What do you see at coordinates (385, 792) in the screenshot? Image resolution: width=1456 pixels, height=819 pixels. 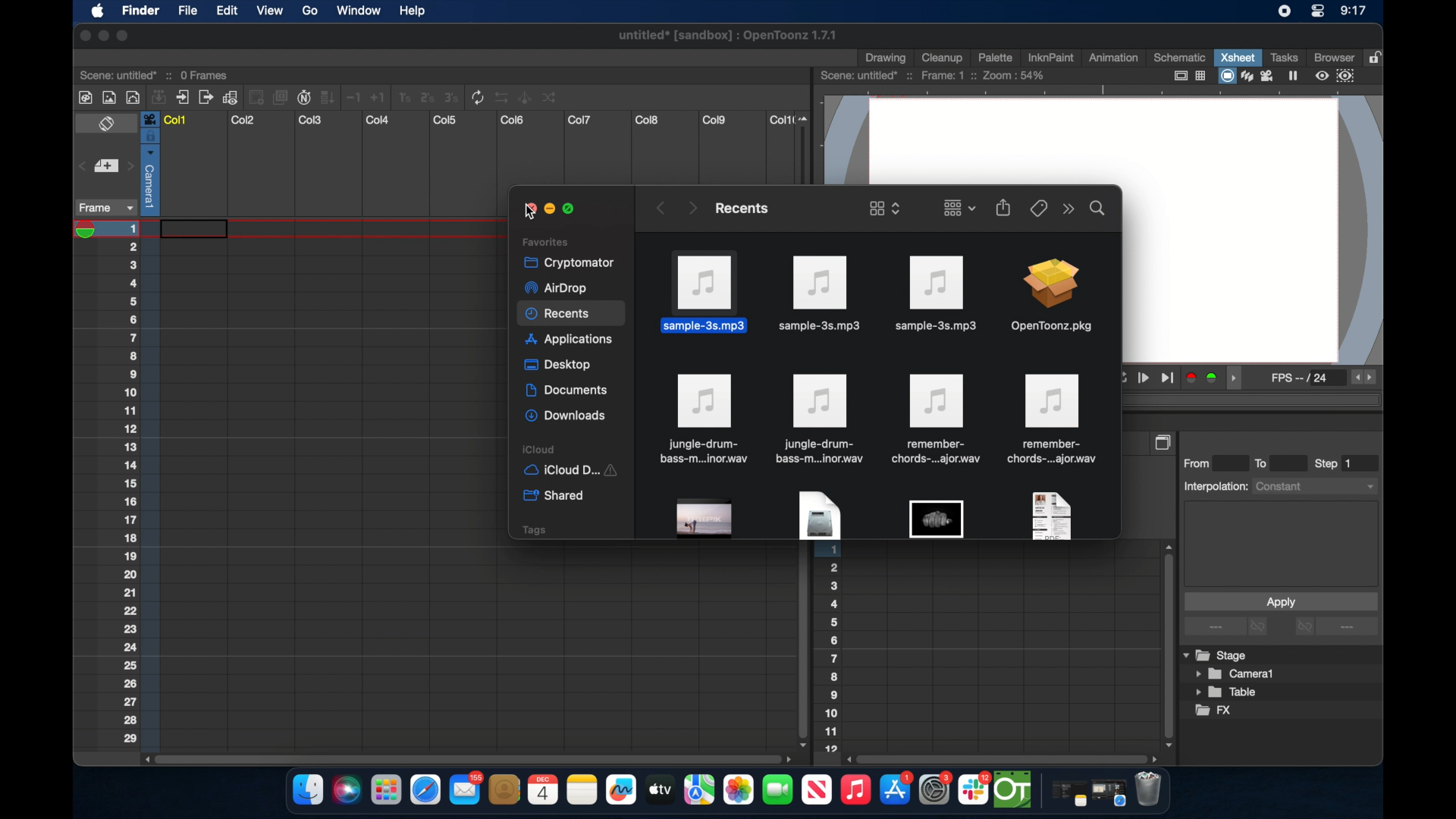 I see `launchpad` at bounding box center [385, 792].